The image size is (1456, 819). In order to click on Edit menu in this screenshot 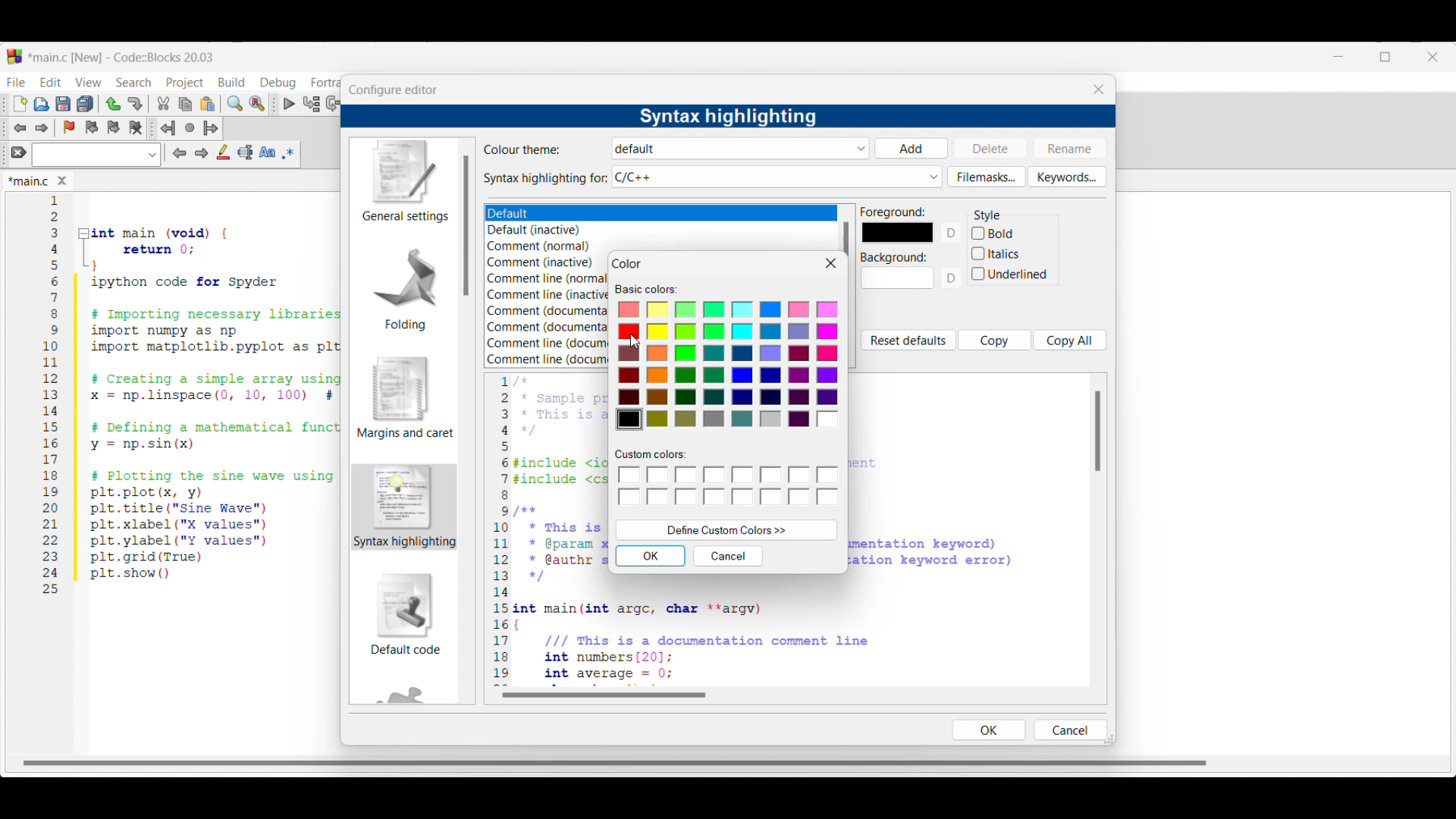, I will do `click(52, 82)`.